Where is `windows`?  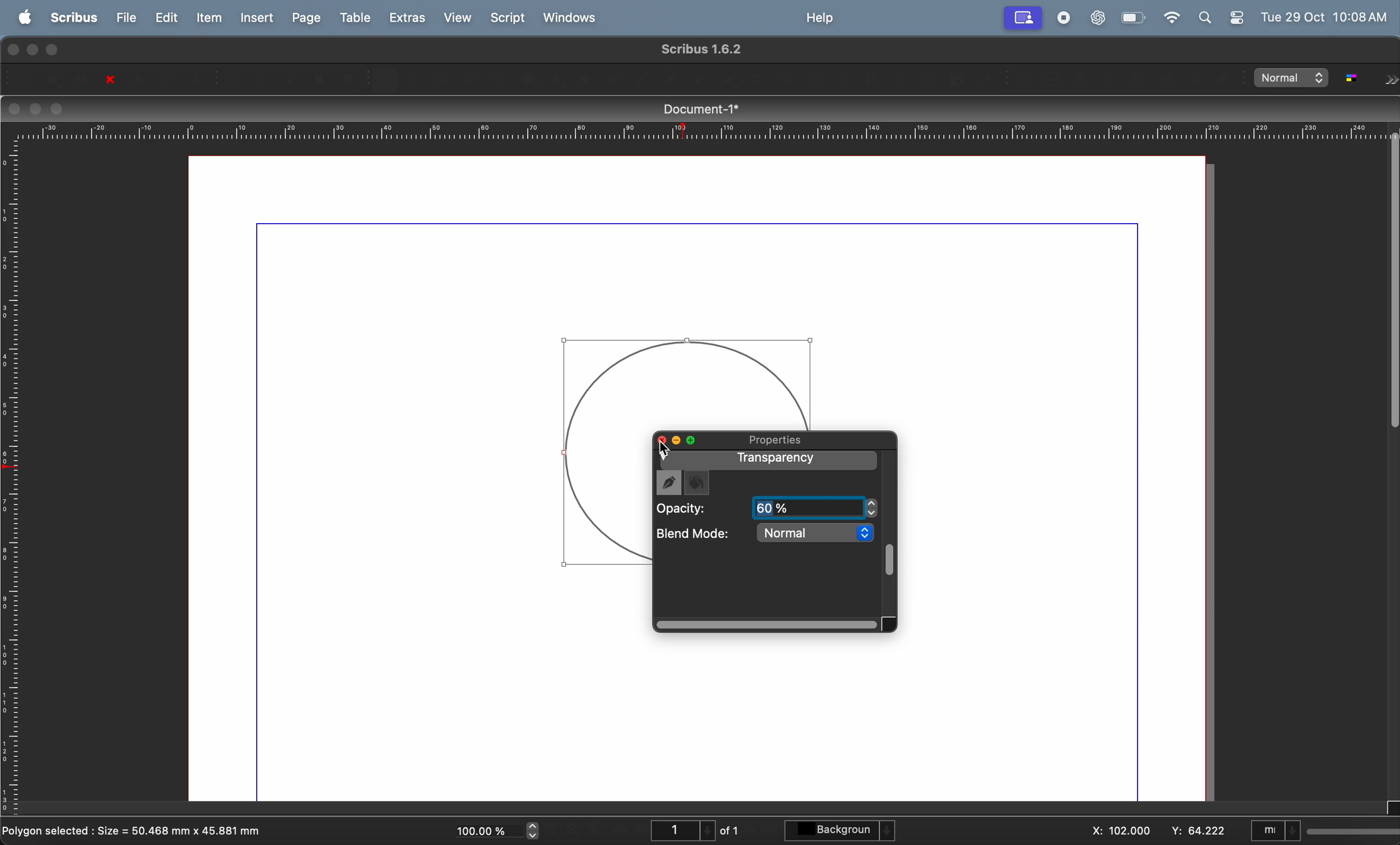 windows is located at coordinates (574, 18).